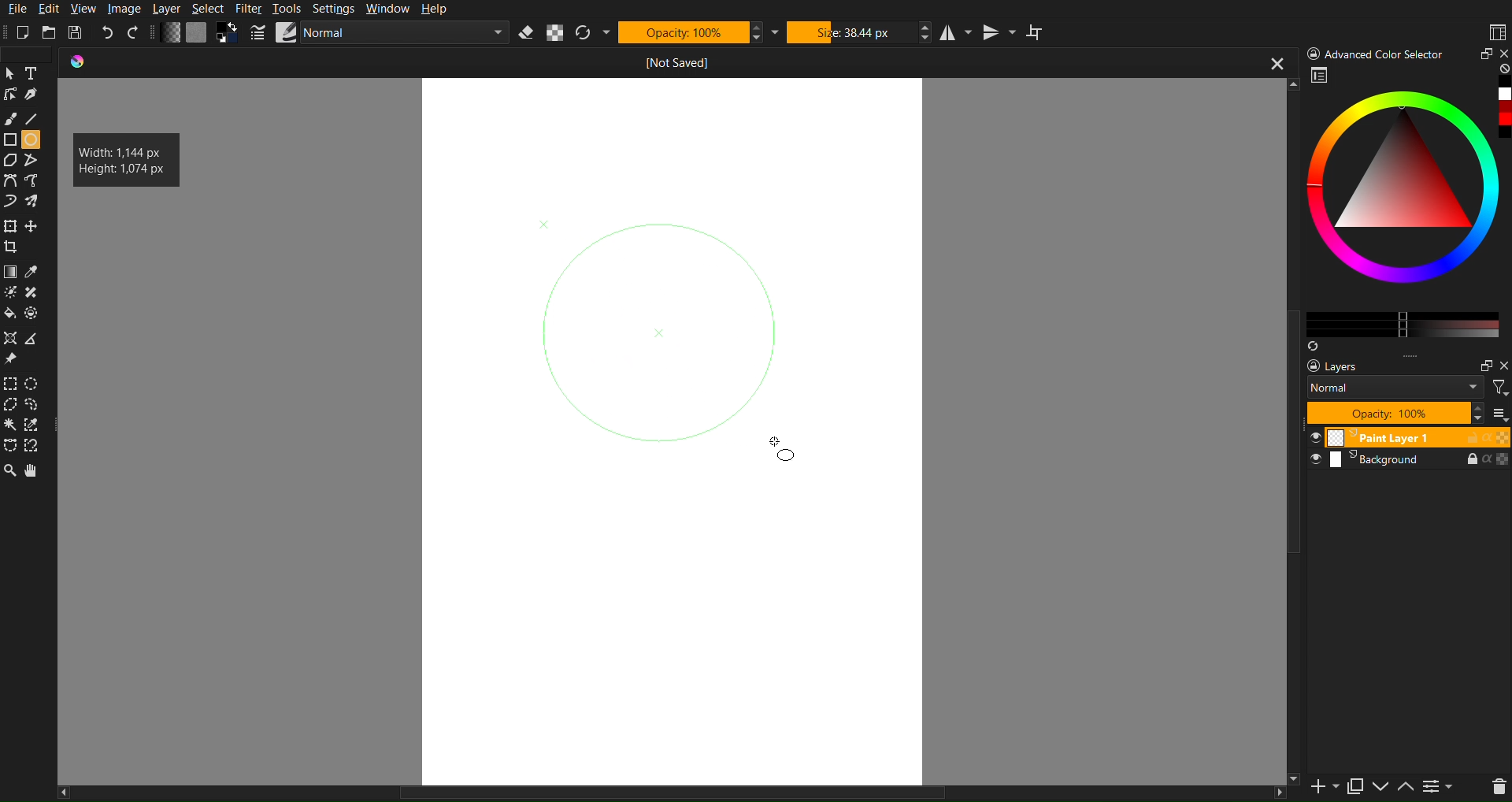  I want to click on Redo, so click(133, 32).